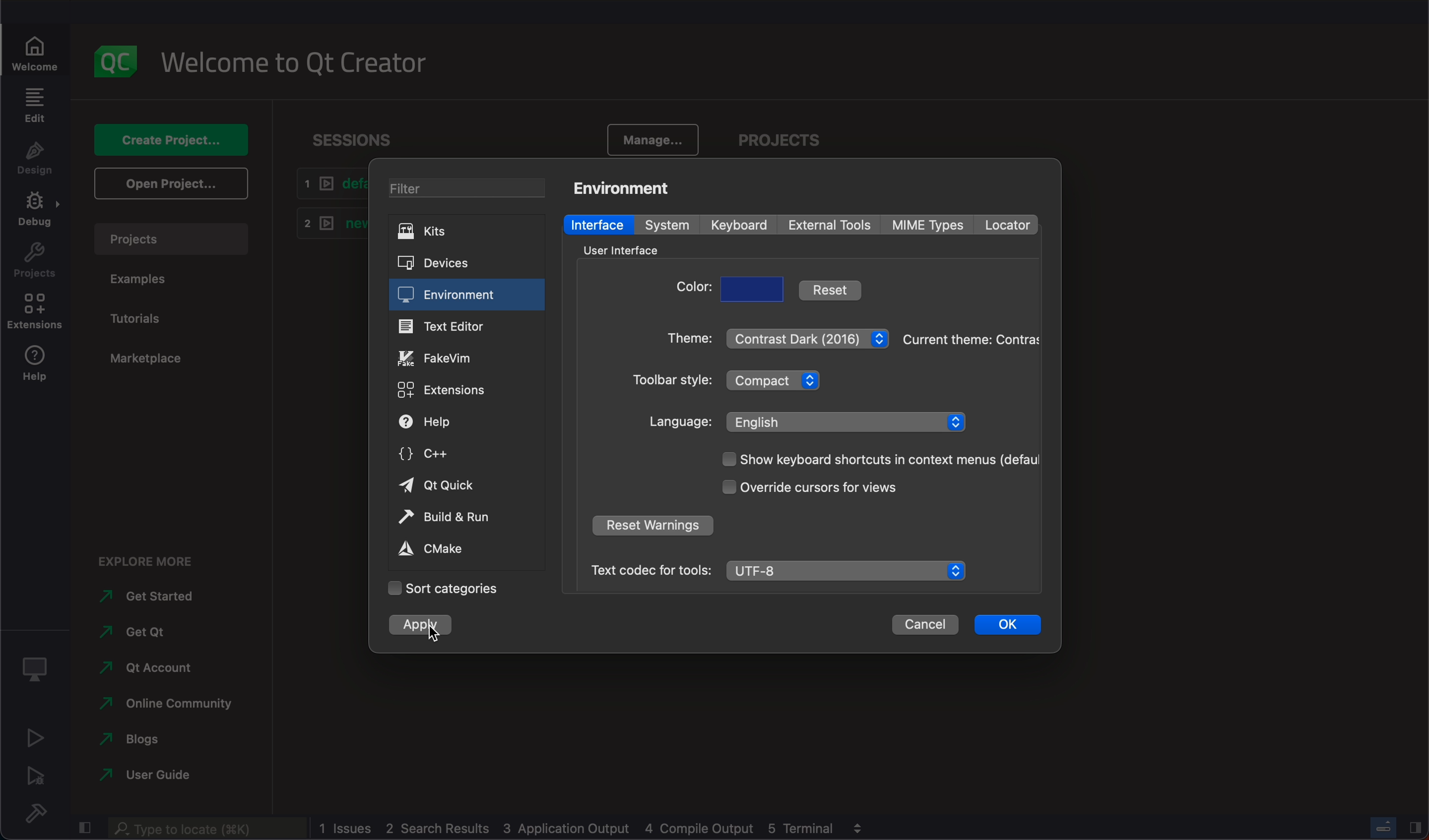 This screenshot has height=840, width=1429. I want to click on new1, so click(330, 225).